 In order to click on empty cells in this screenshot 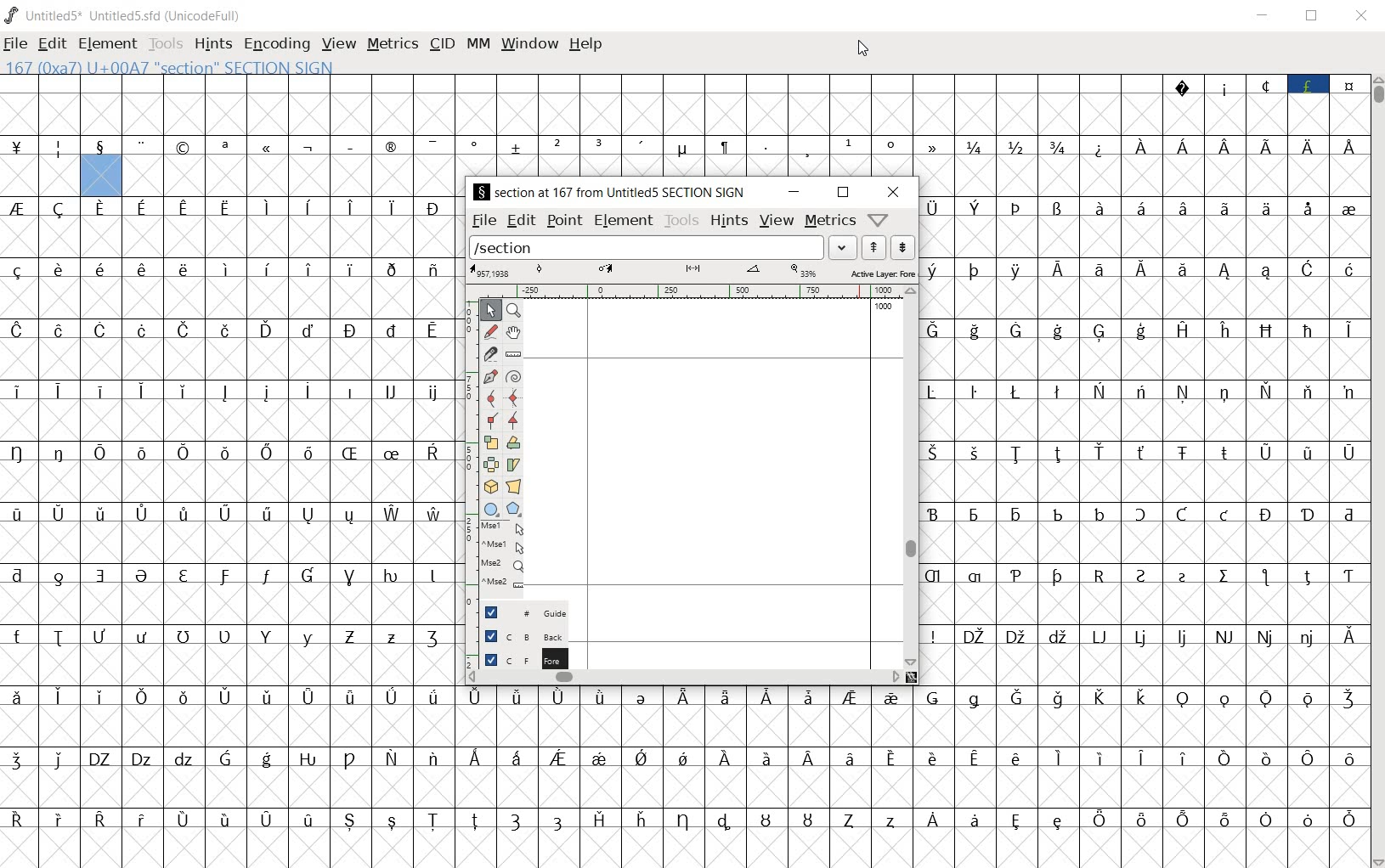, I will do `click(232, 667)`.